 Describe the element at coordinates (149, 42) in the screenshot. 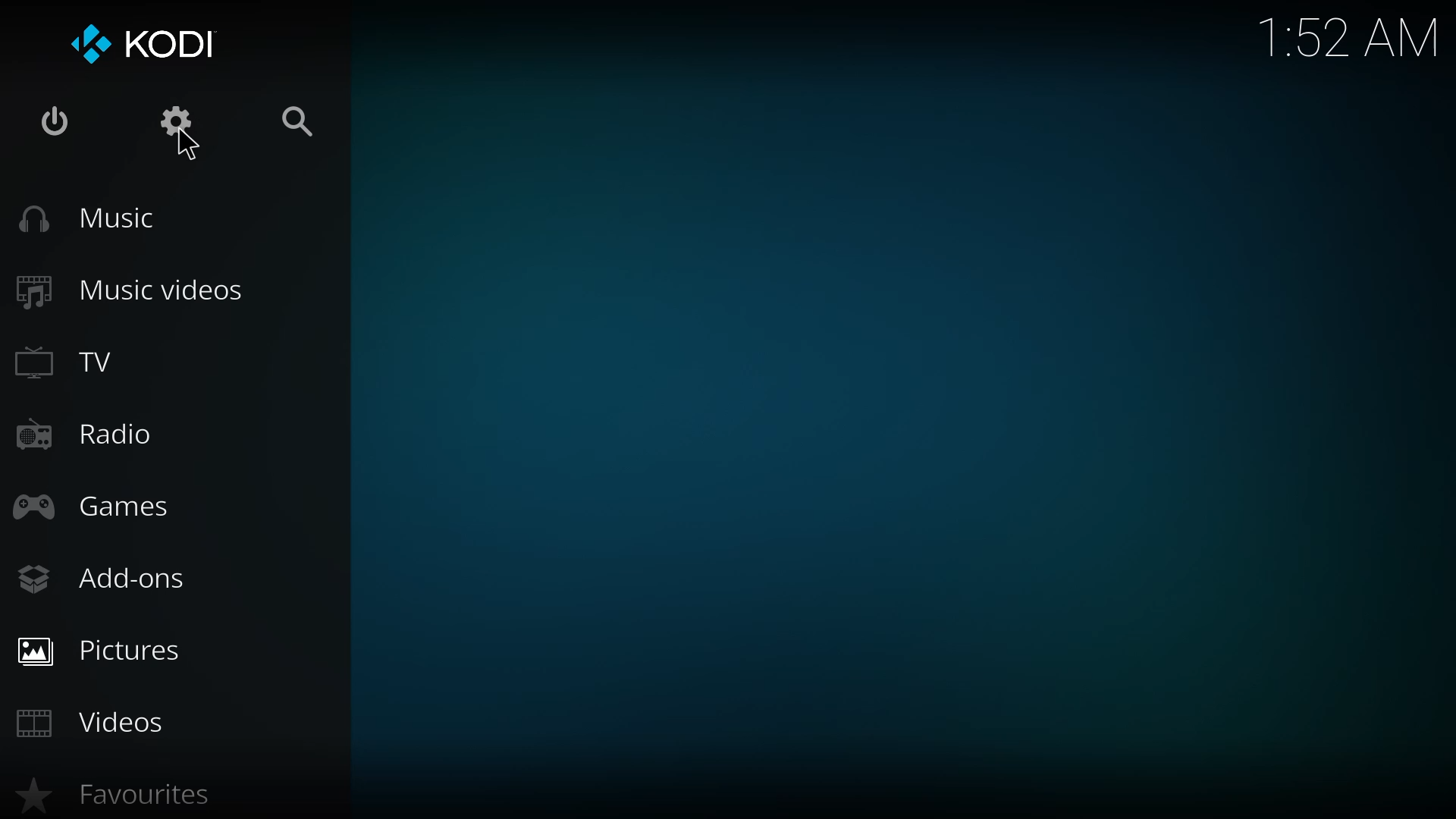

I see `kodi` at that location.